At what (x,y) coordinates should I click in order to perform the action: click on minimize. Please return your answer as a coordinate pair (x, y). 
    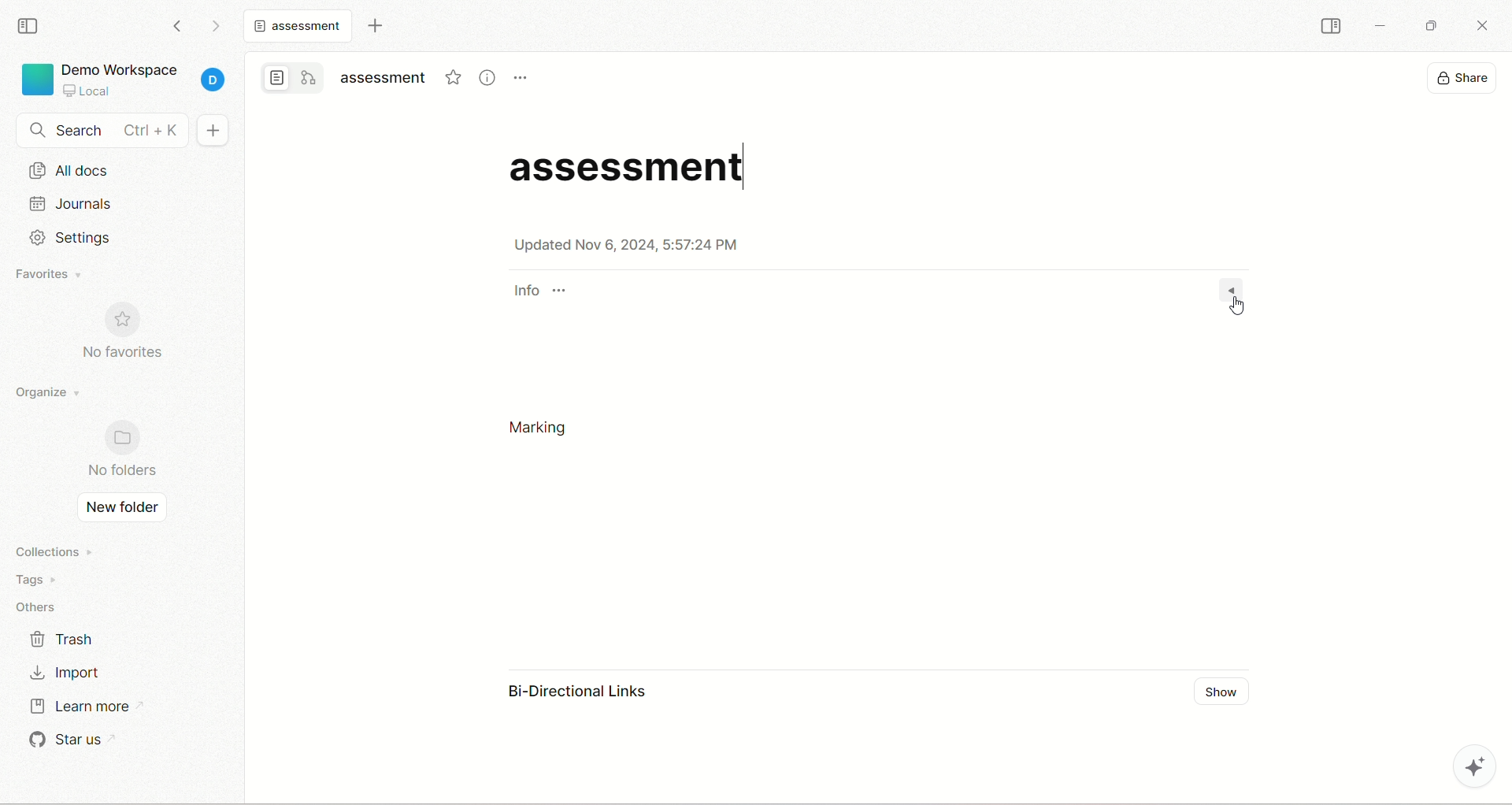
    Looking at the image, I should click on (1383, 24).